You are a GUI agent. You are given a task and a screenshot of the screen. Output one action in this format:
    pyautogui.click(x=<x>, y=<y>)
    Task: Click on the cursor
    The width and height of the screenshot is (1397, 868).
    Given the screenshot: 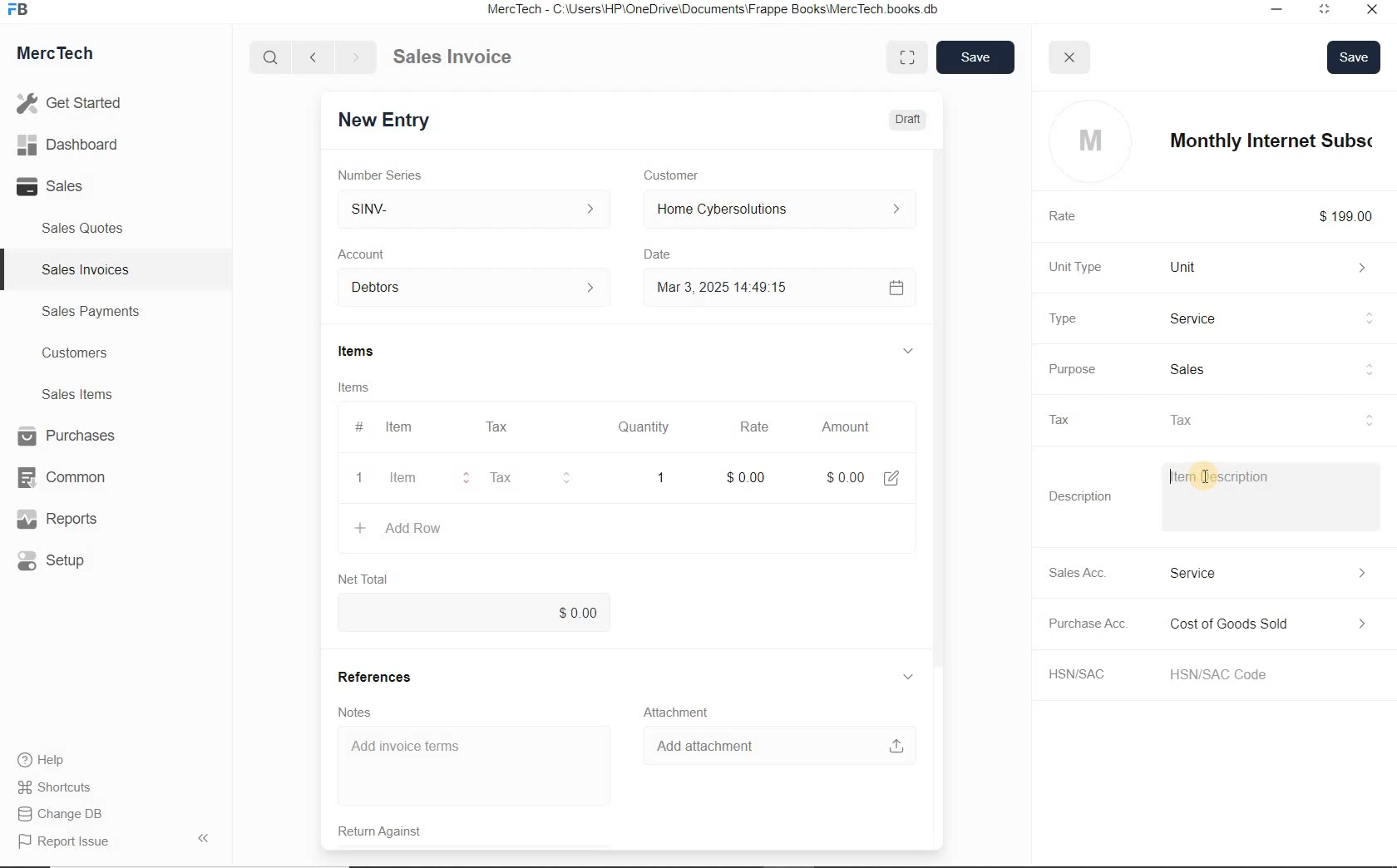 What is the action you would take?
    pyautogui.click(x=1207, y=475)
    